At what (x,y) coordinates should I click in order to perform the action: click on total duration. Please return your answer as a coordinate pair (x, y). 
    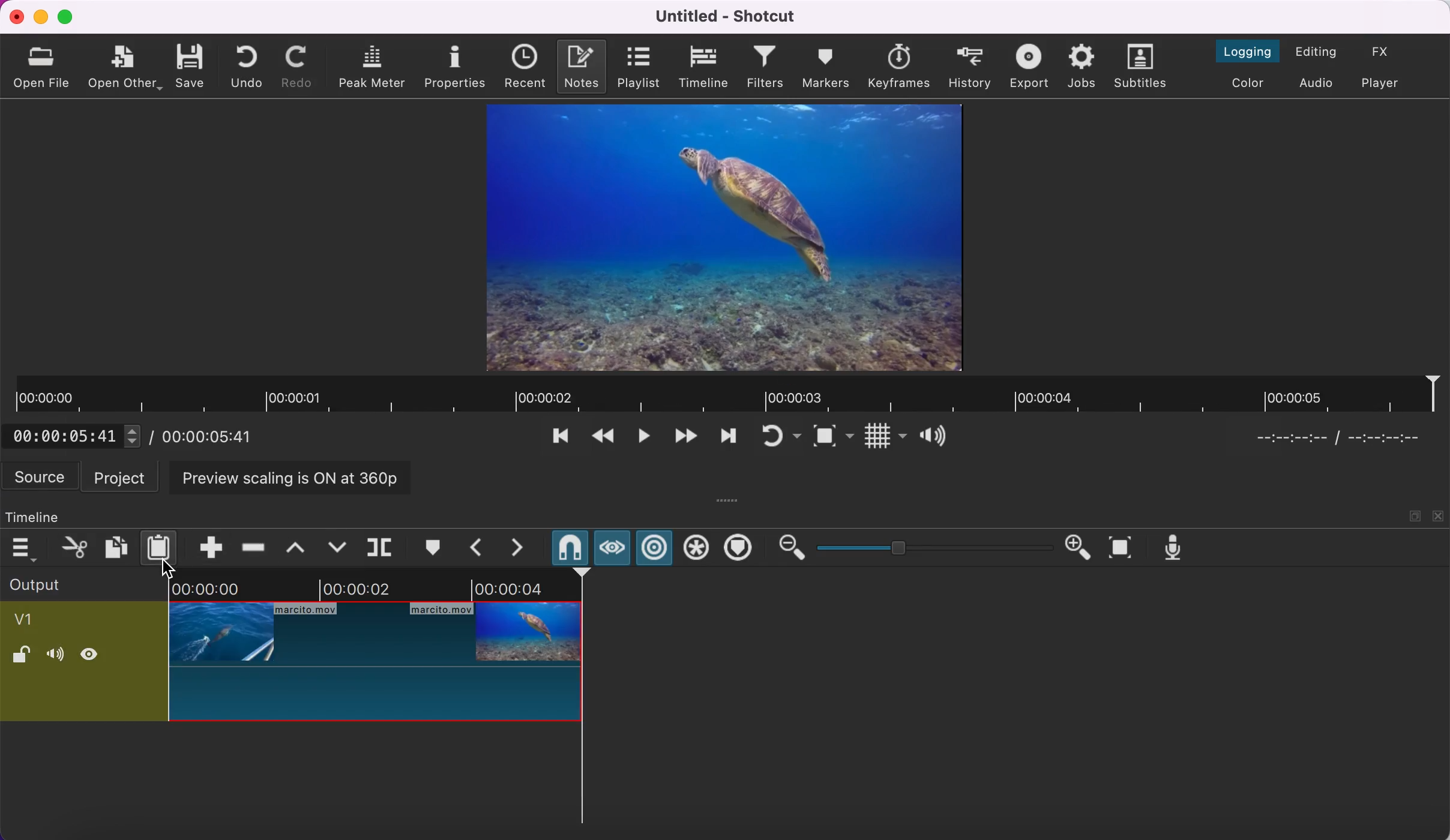
    Looking at the image, I should click on (1397, 438).